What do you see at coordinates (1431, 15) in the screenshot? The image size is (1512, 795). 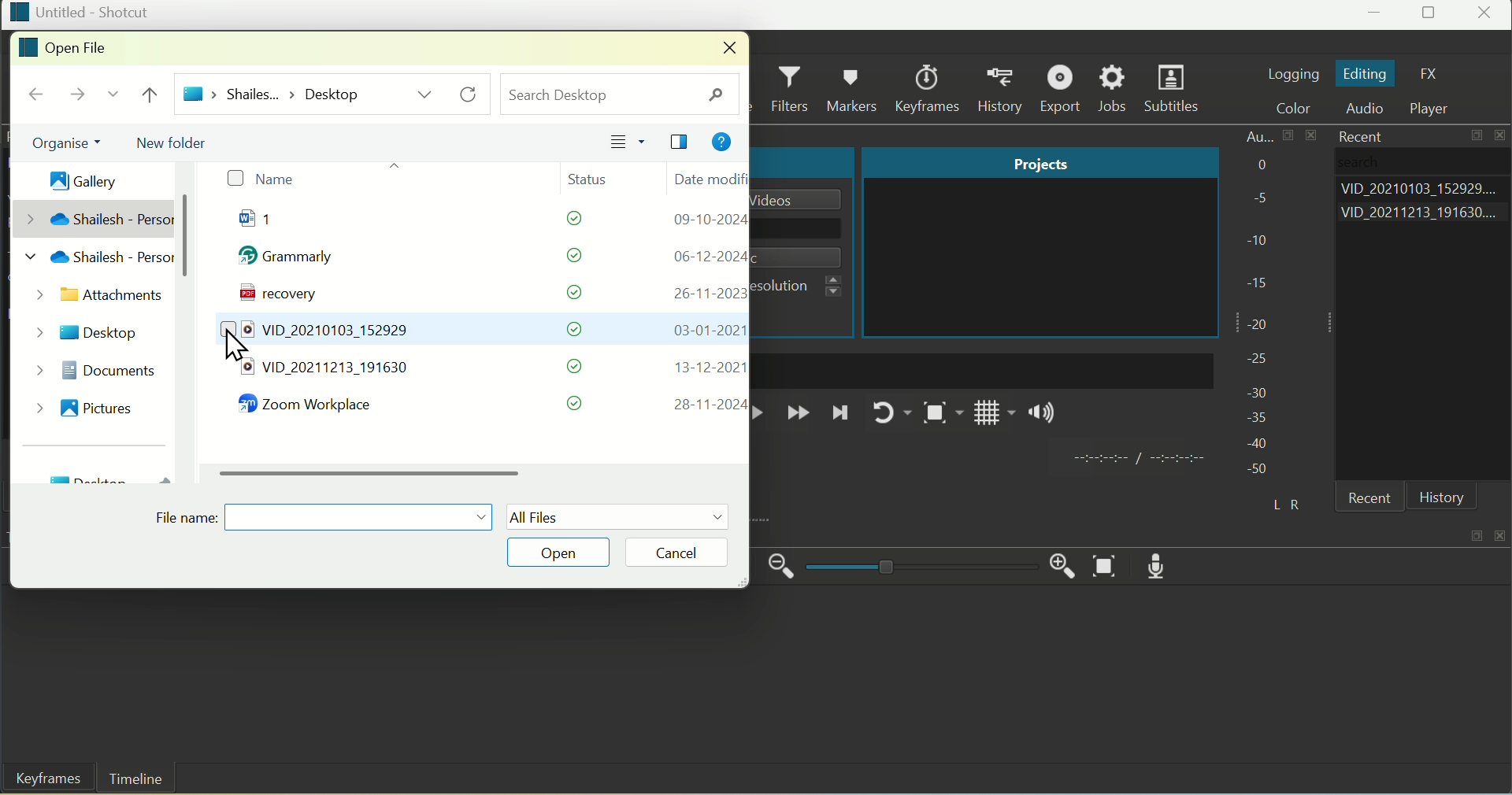 I see `Maximize` at bounding box center [1431, 15].